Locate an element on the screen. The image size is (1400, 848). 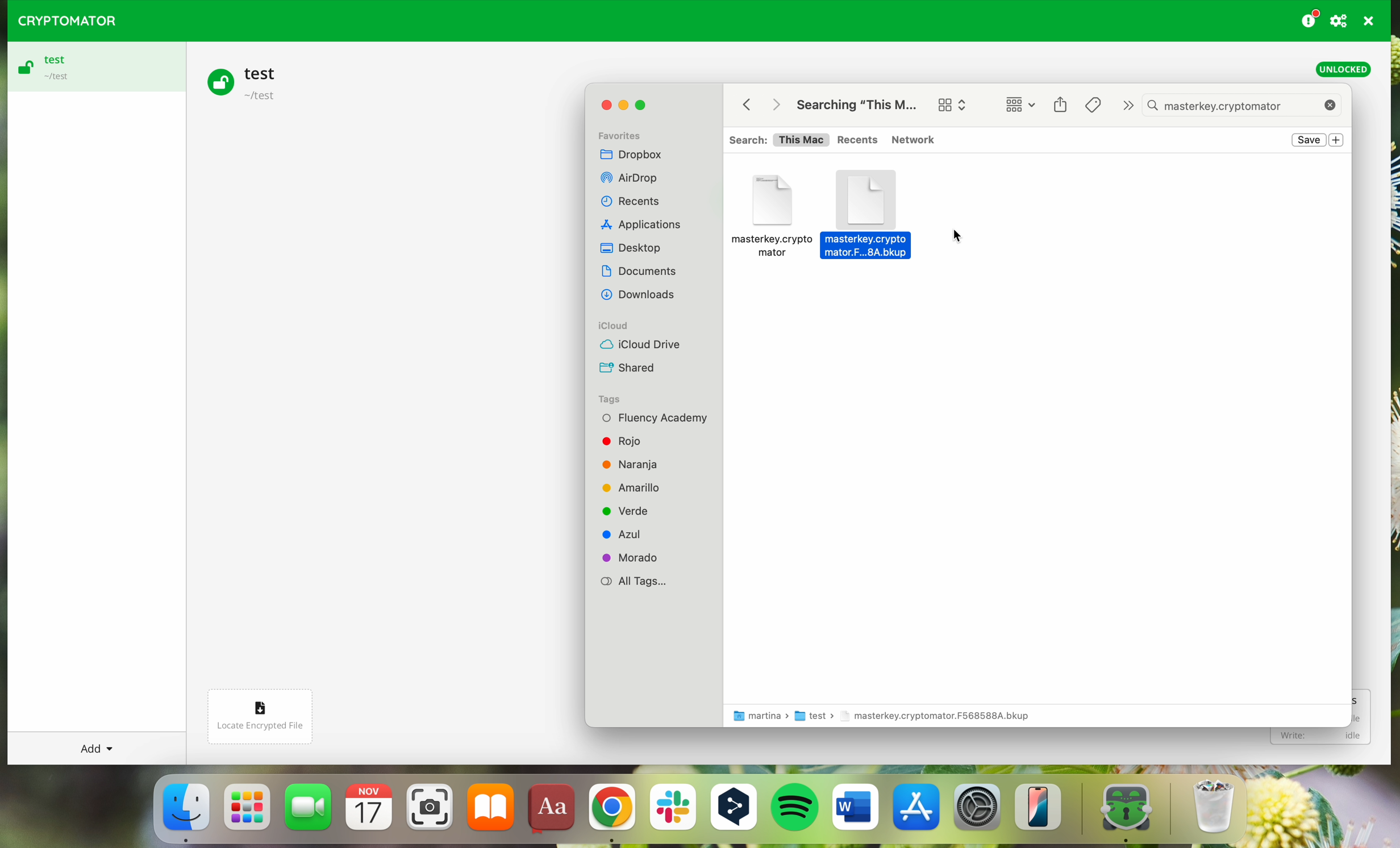
Rojo is located at coordinates (624, 439).